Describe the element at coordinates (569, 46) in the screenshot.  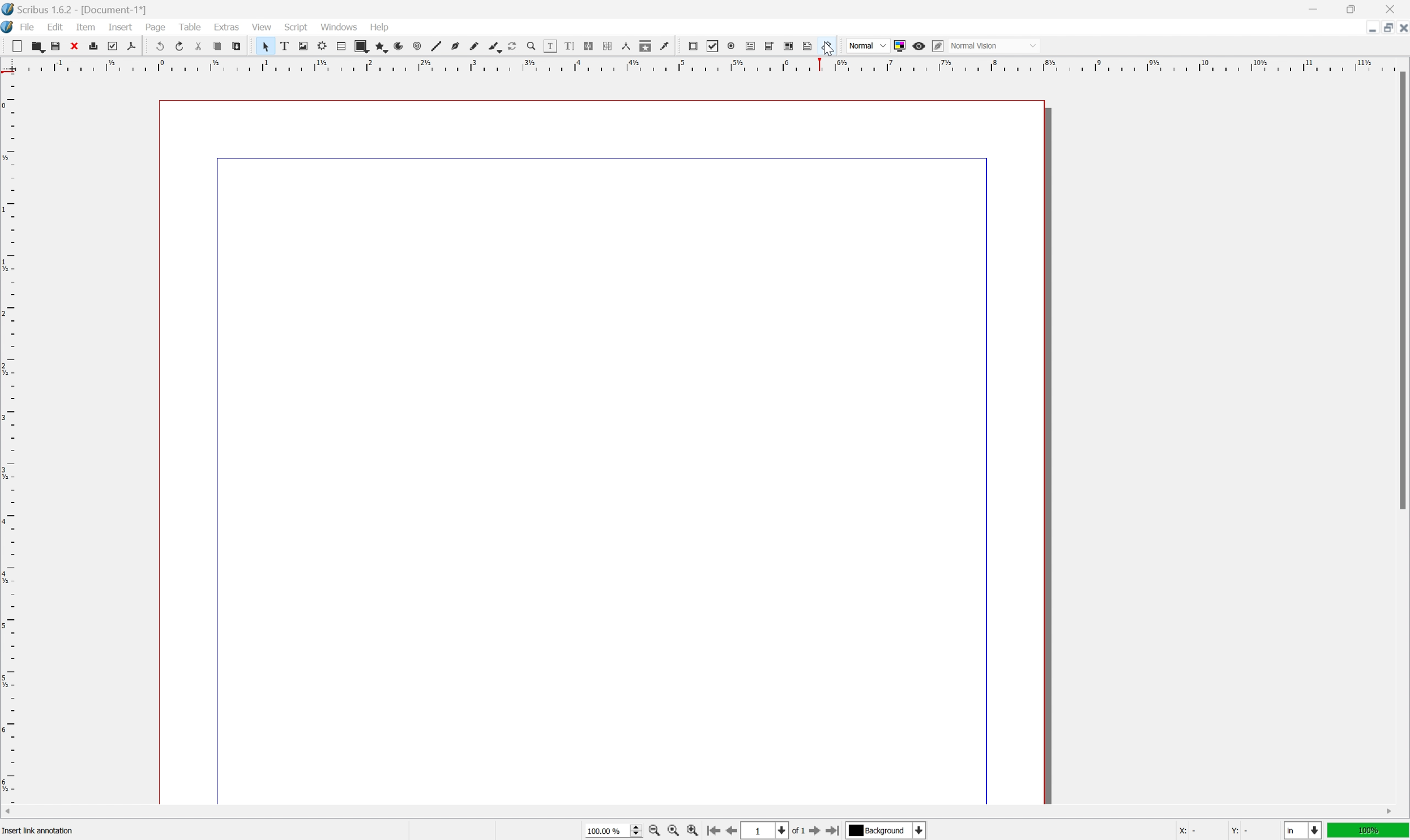
I see `edit text with story editor` at that location.